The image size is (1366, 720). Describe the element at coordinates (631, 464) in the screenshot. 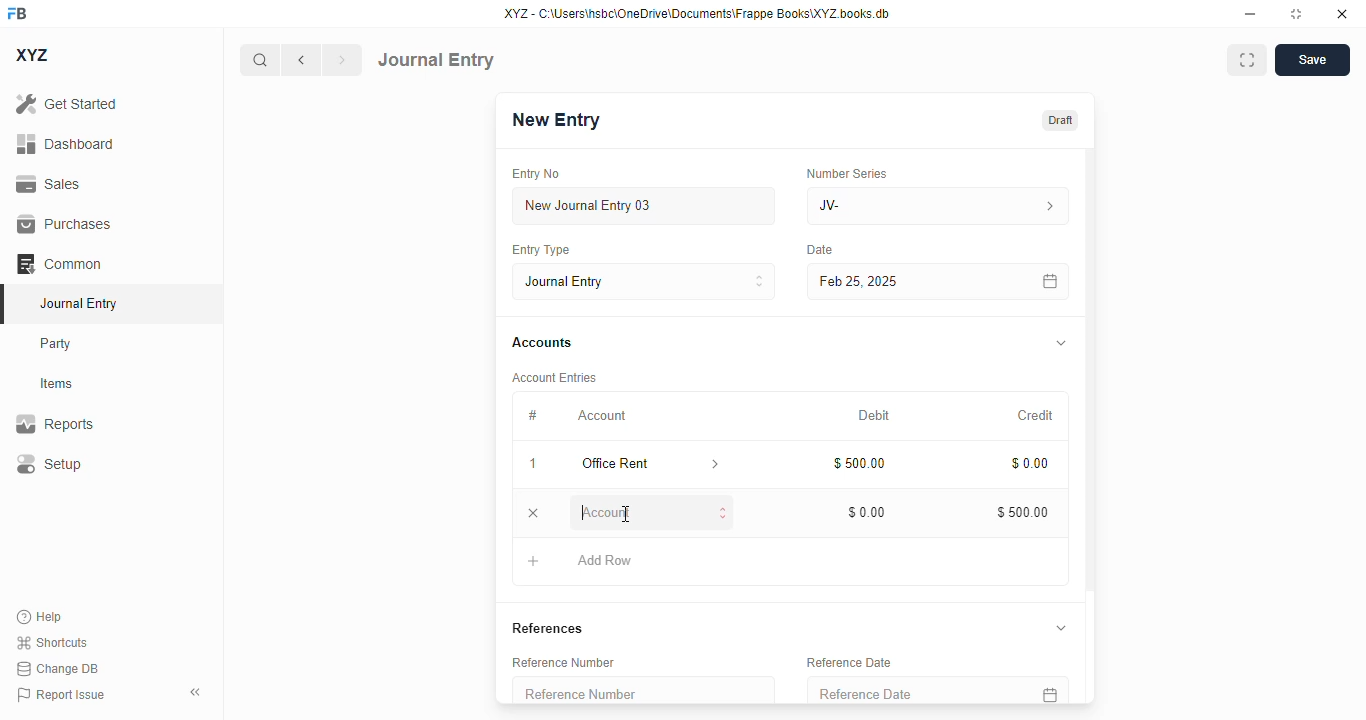

I see `office rent` at that location.